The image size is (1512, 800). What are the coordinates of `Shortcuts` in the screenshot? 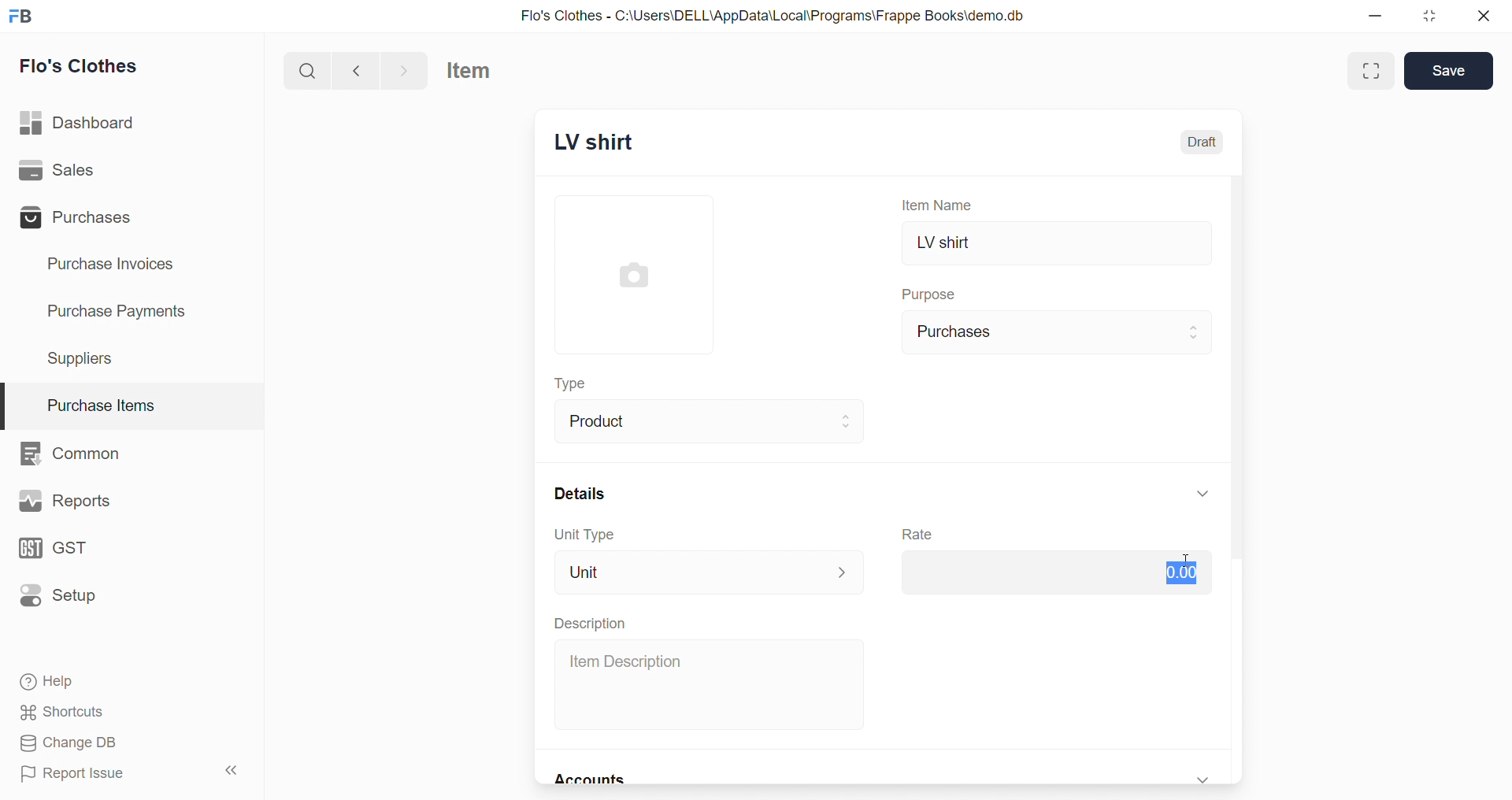 It's located at (127, 711).